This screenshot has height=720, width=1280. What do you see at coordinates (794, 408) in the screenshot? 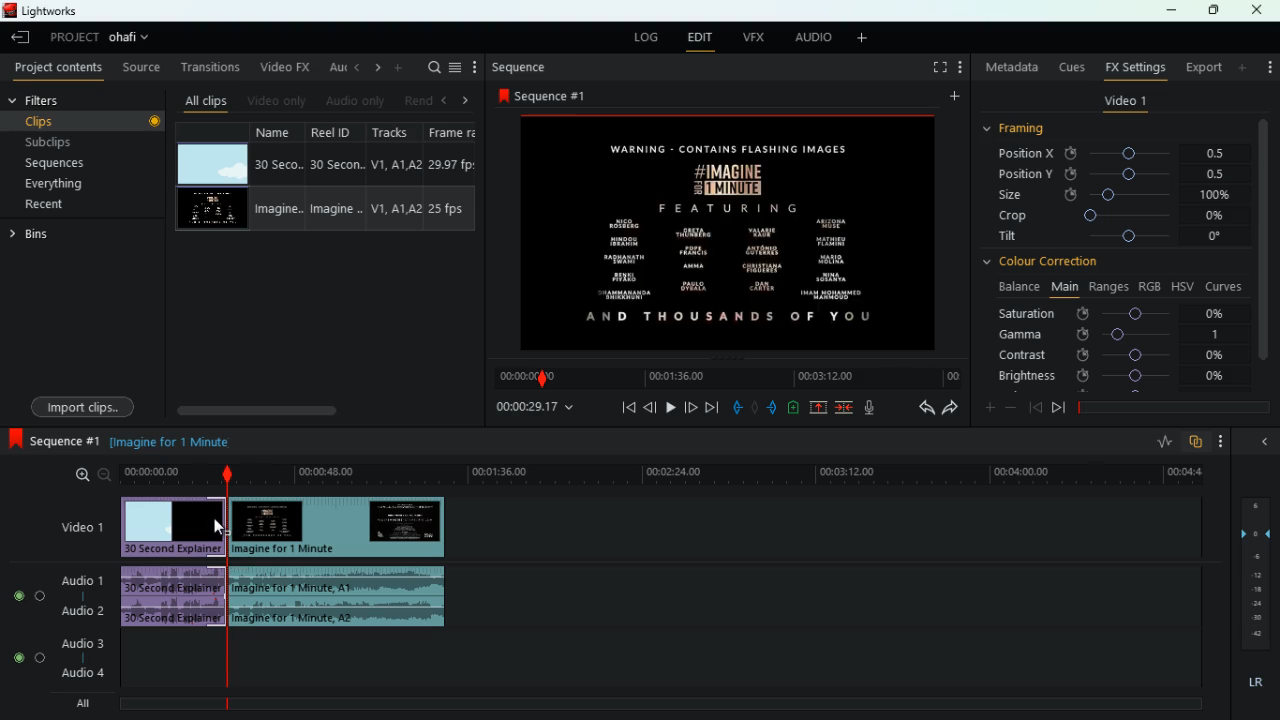
I see `charge` at bounding box center [794, 408].